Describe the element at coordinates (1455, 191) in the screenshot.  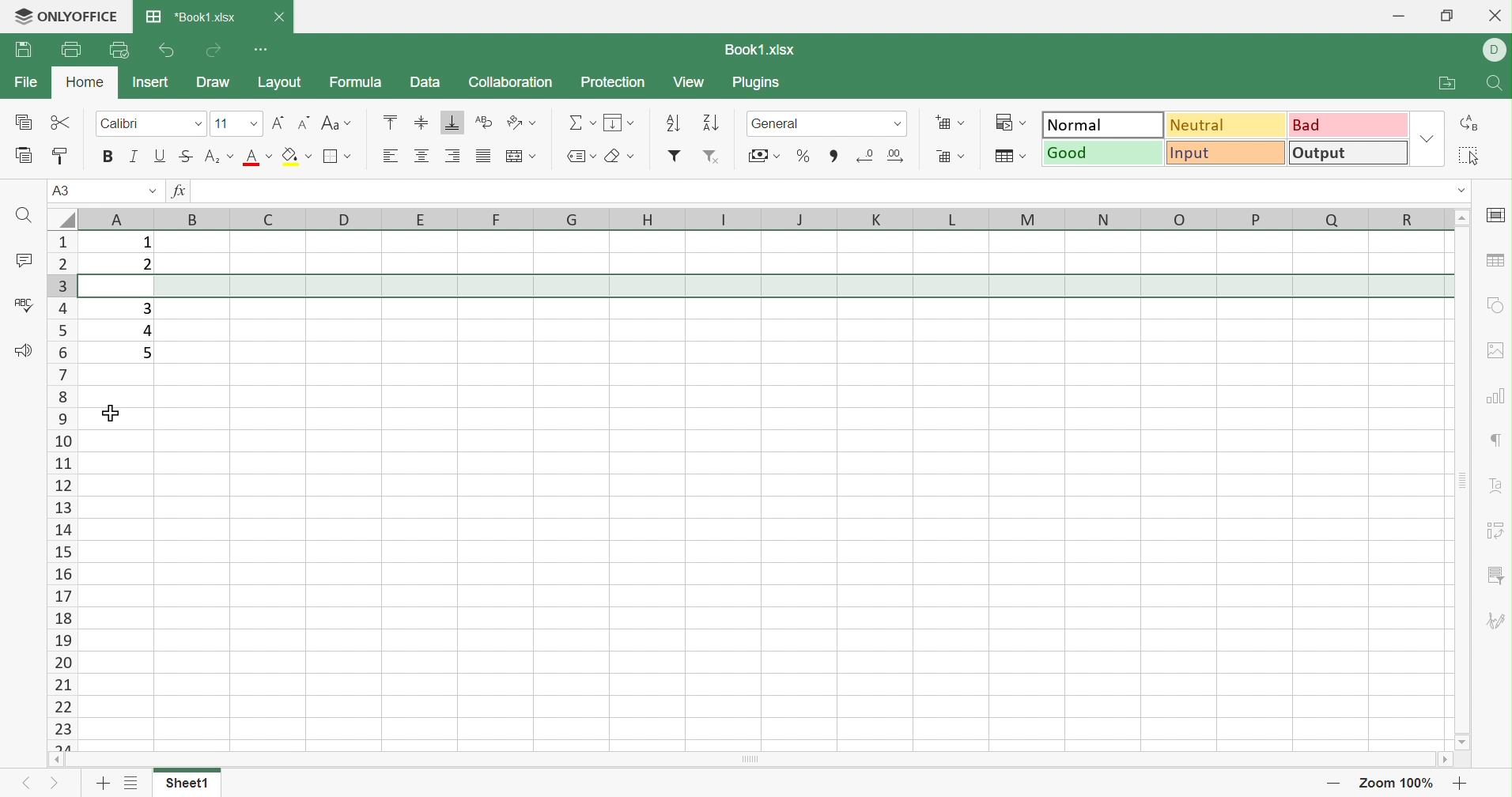
I see `Drop Down` at that location.